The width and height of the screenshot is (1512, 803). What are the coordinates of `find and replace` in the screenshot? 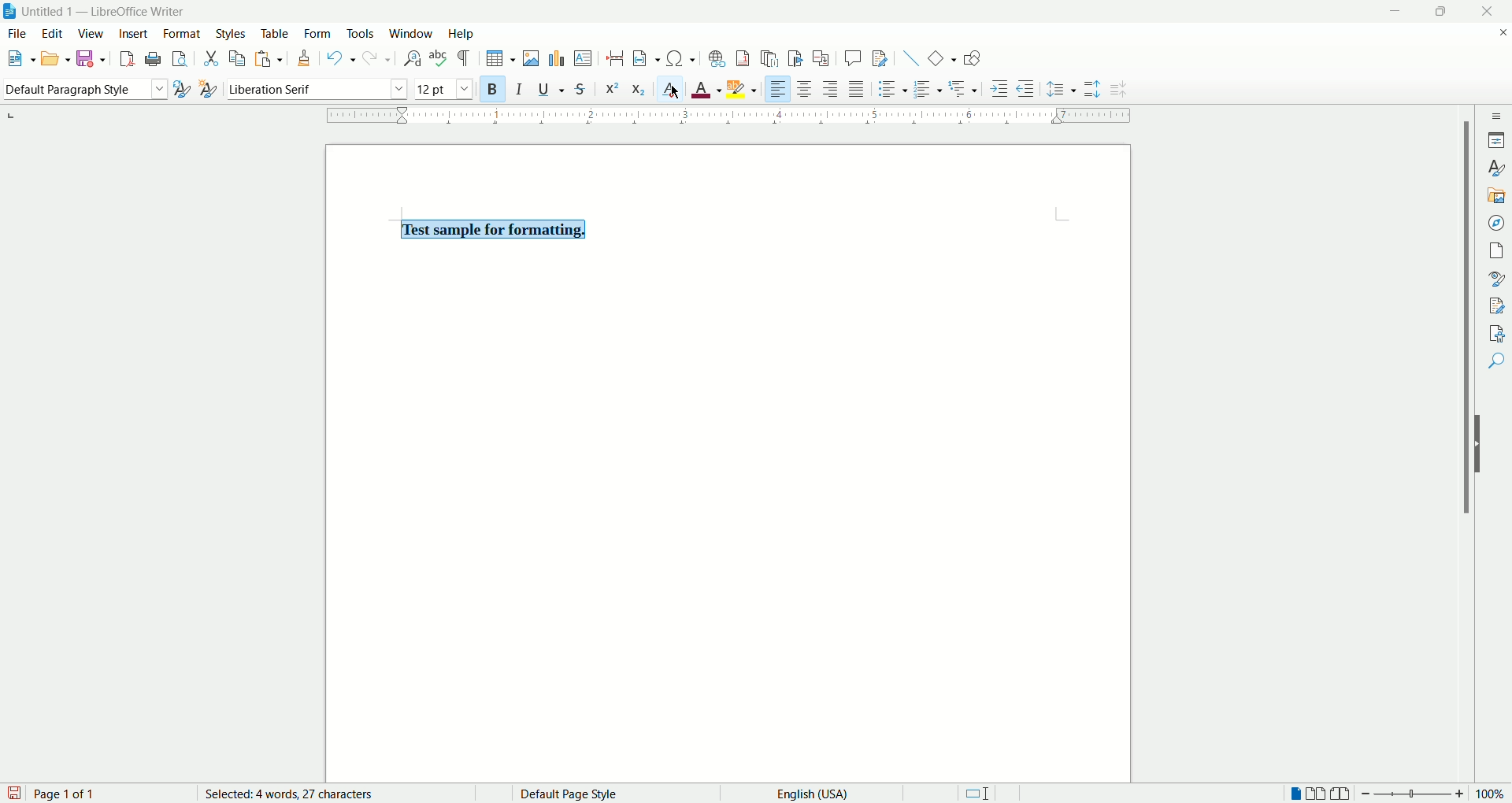 It's located at (409, 58).